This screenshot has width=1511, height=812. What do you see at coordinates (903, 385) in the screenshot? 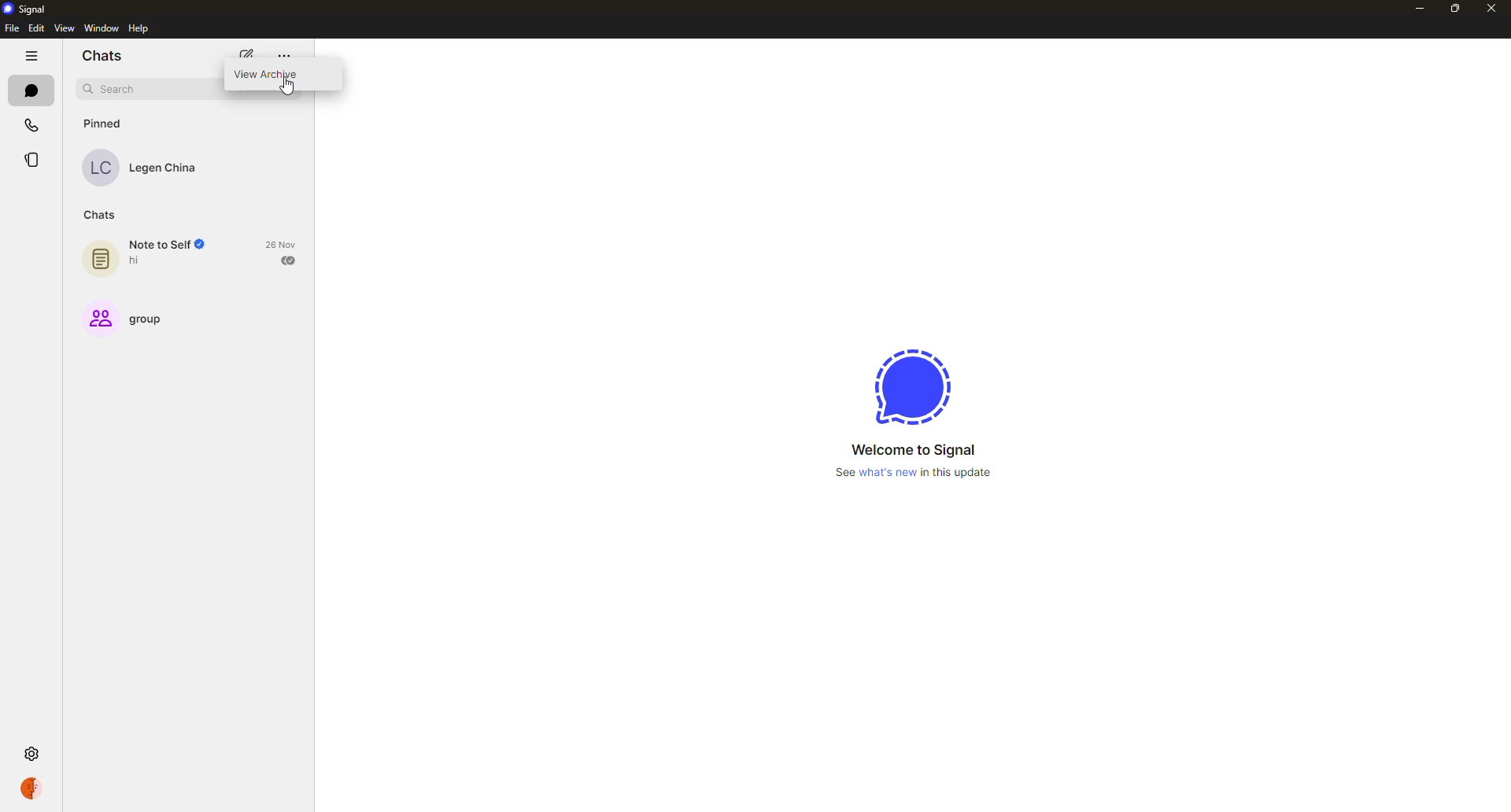
I see `signal` at bounding box center [903, 385].